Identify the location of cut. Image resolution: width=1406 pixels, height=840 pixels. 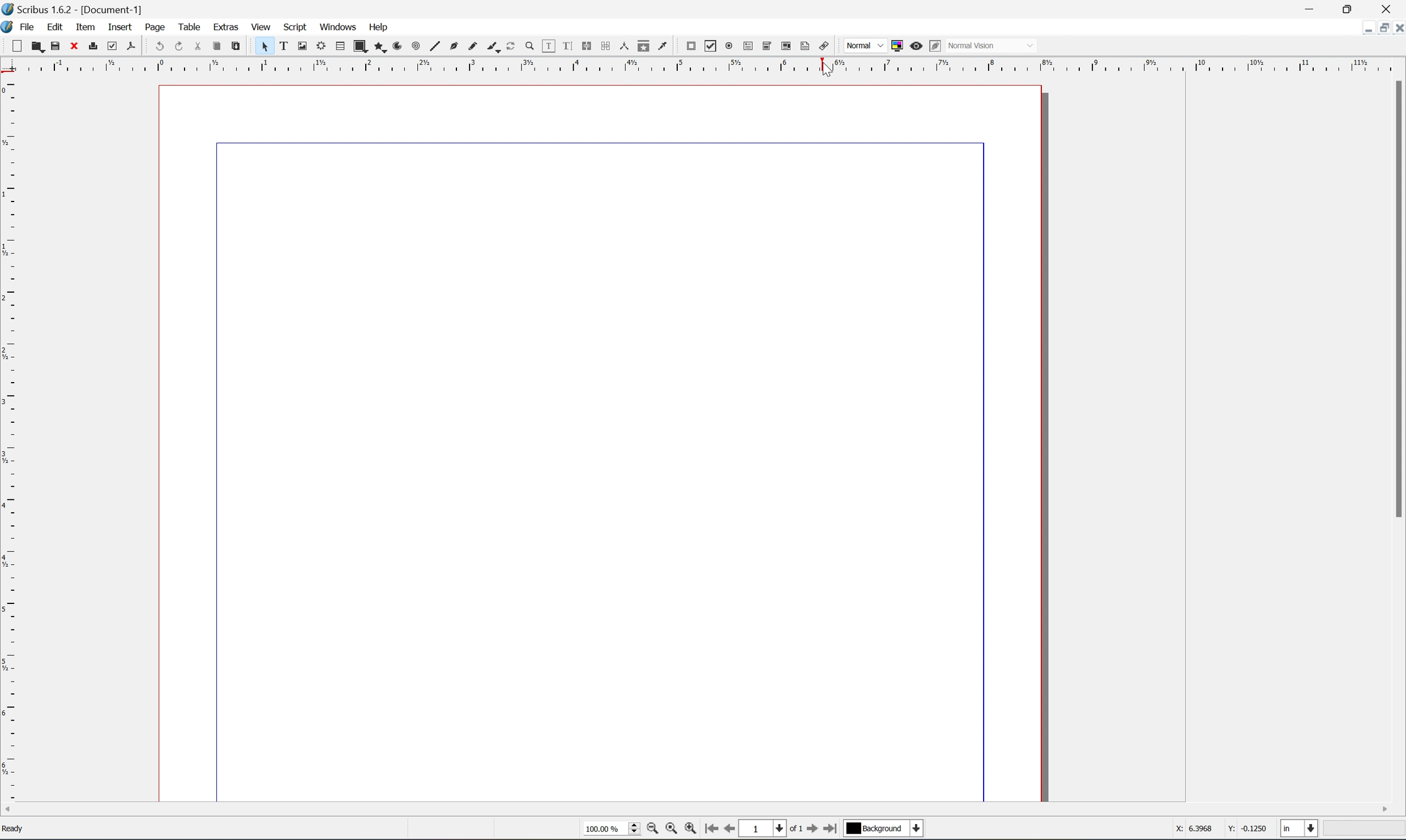
(203, 44).